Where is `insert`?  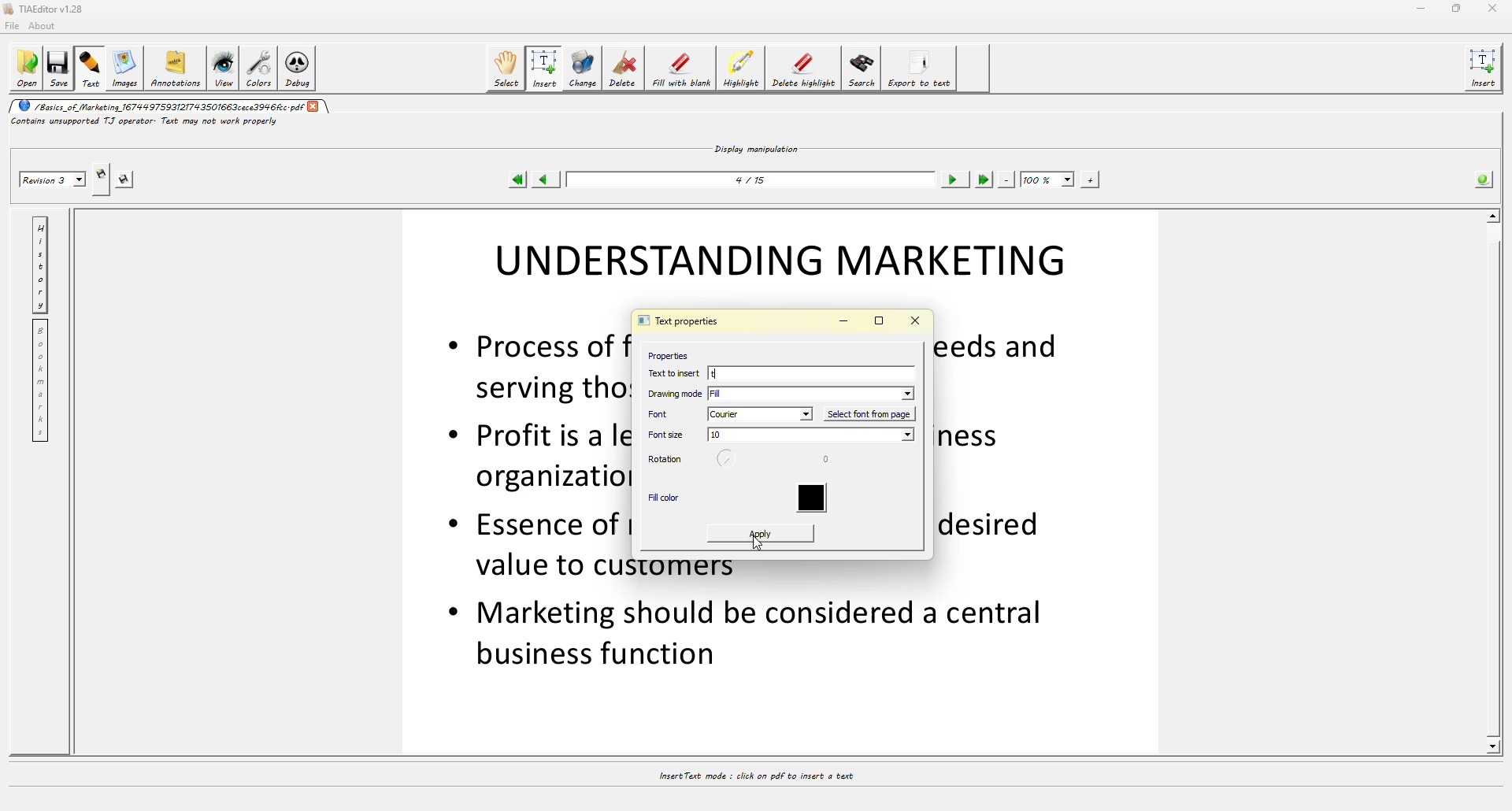 insert is located at coordinates (547, 68).